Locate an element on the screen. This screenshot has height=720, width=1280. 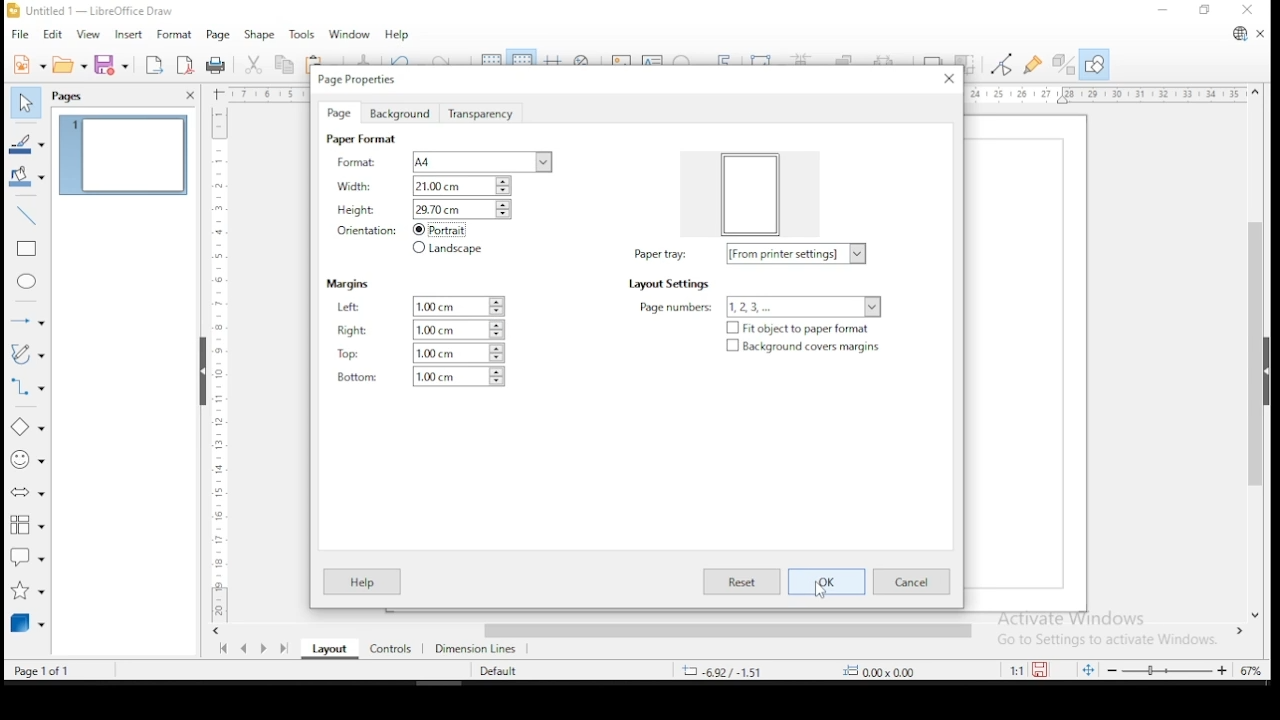
cursor is located at coordinates (823, 591).